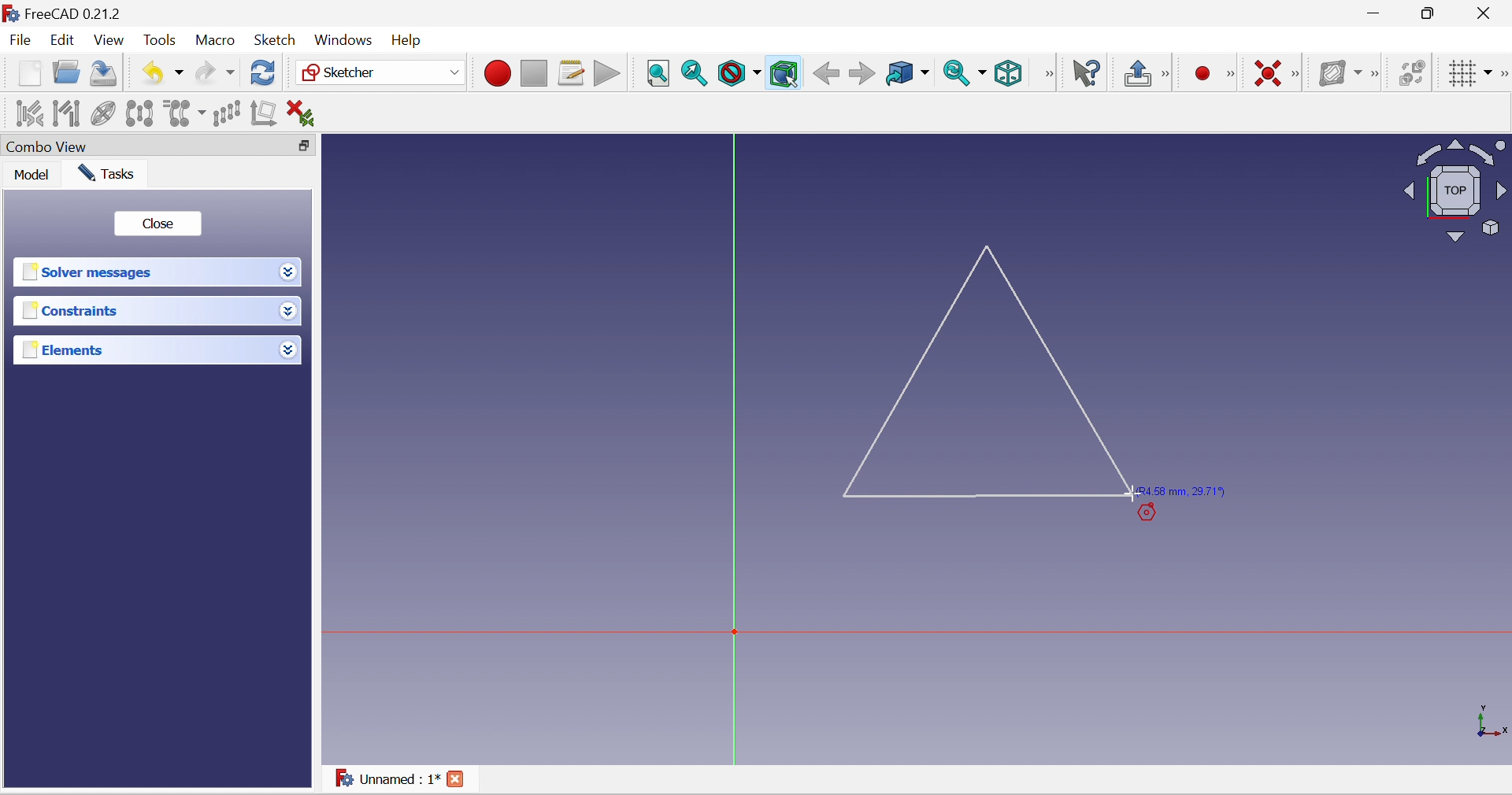  Describe the element at coordinates (1455, 190) in the screenshot. I see `Viewing angle` at that location.